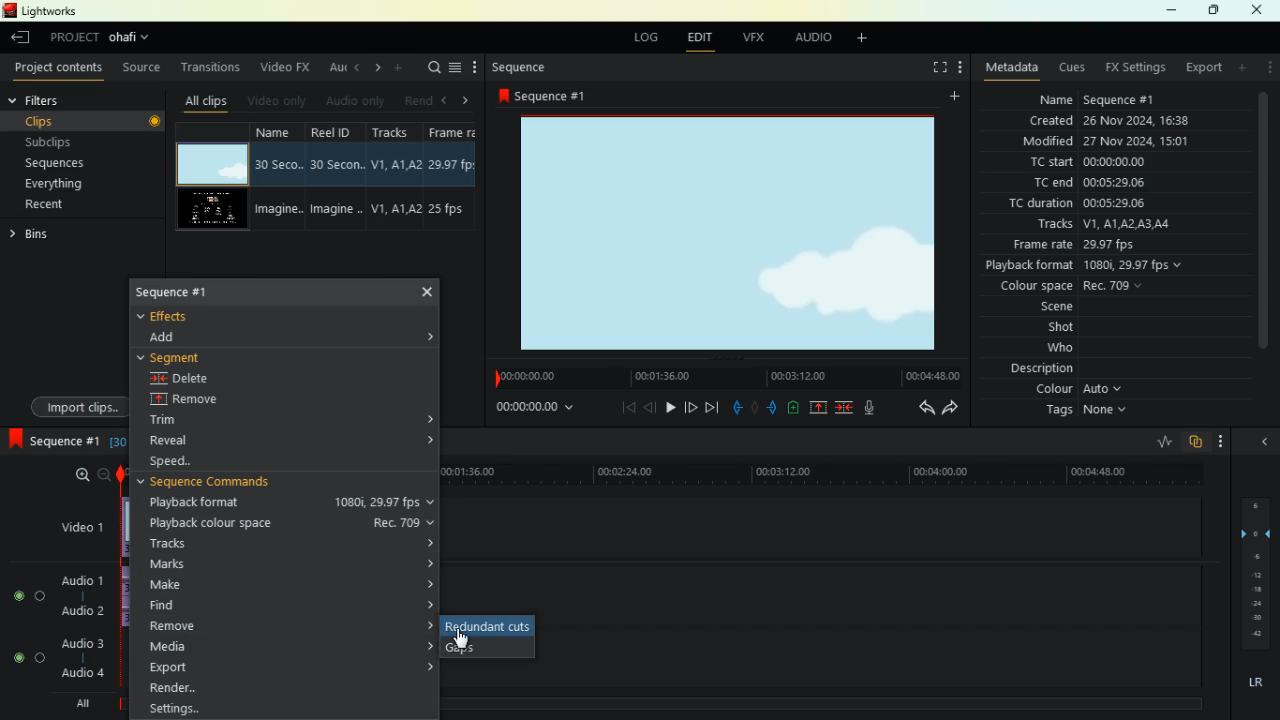 This screenshot has height=720, width=1280. I want to click on audio1, so click(83, 581).